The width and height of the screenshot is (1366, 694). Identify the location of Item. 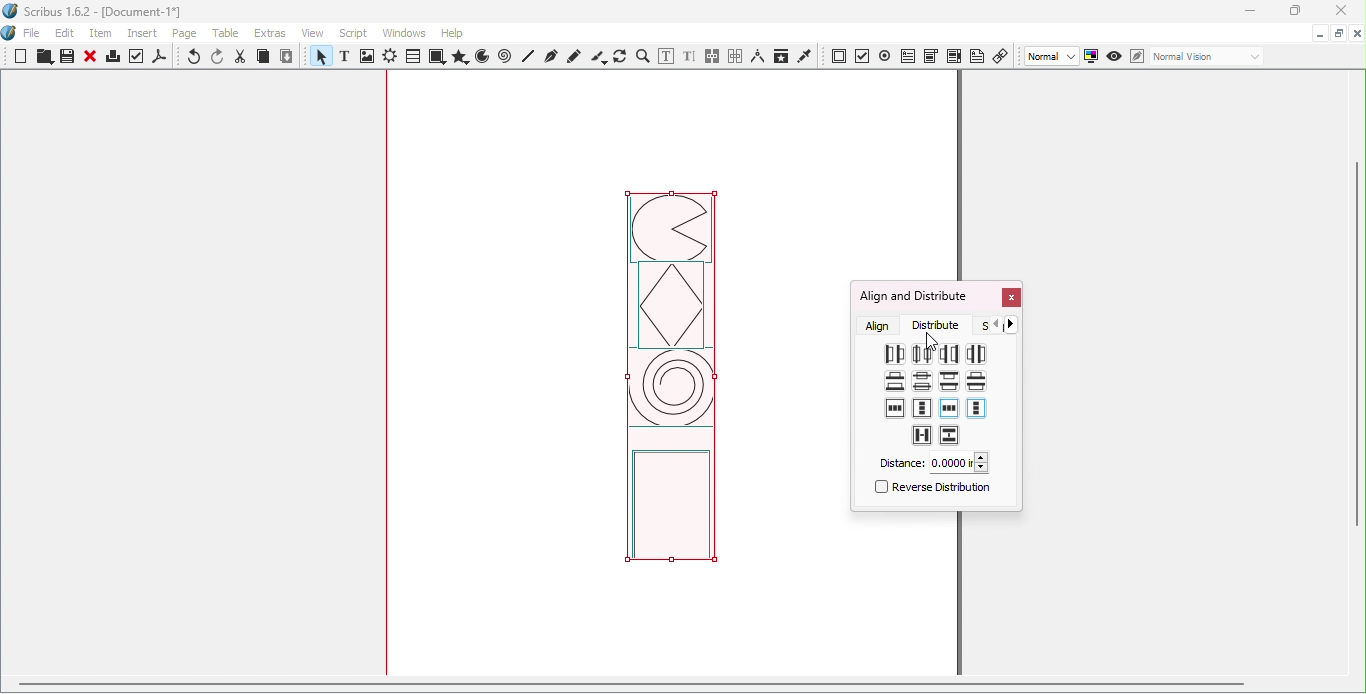
(102, 34).